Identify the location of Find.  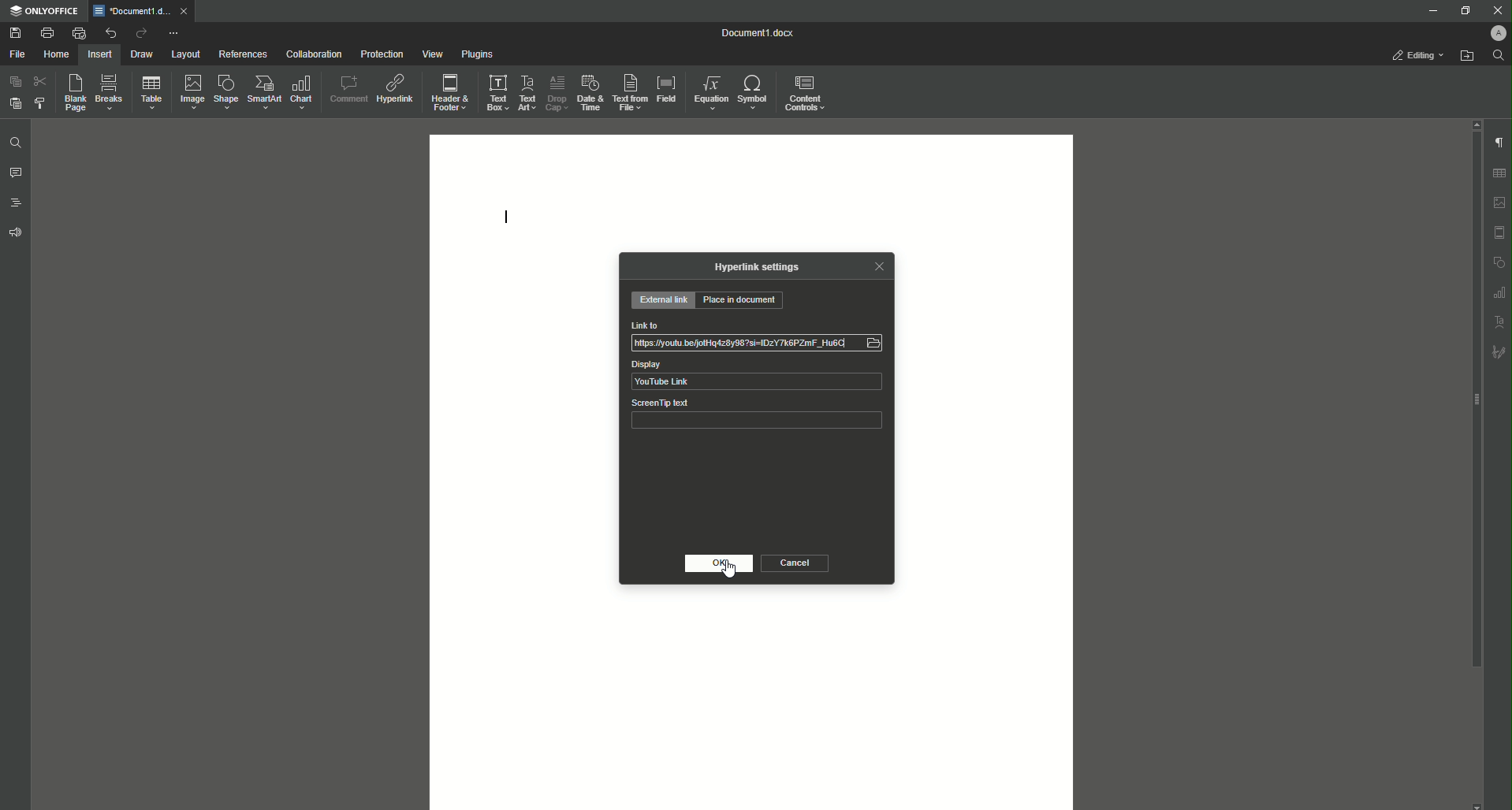
(16, 143).